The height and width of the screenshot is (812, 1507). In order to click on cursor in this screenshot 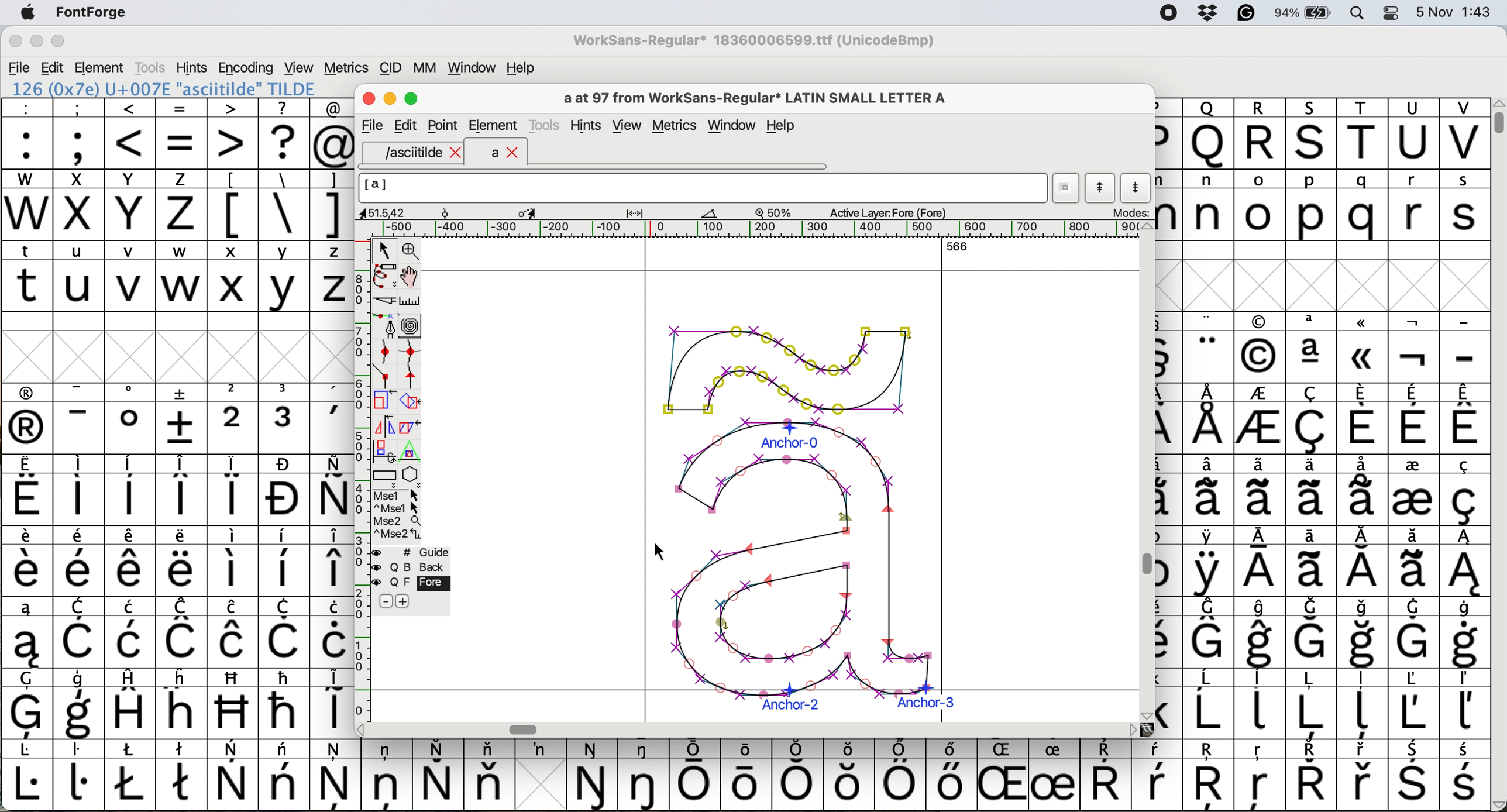, I will do `click(658, 553)`.